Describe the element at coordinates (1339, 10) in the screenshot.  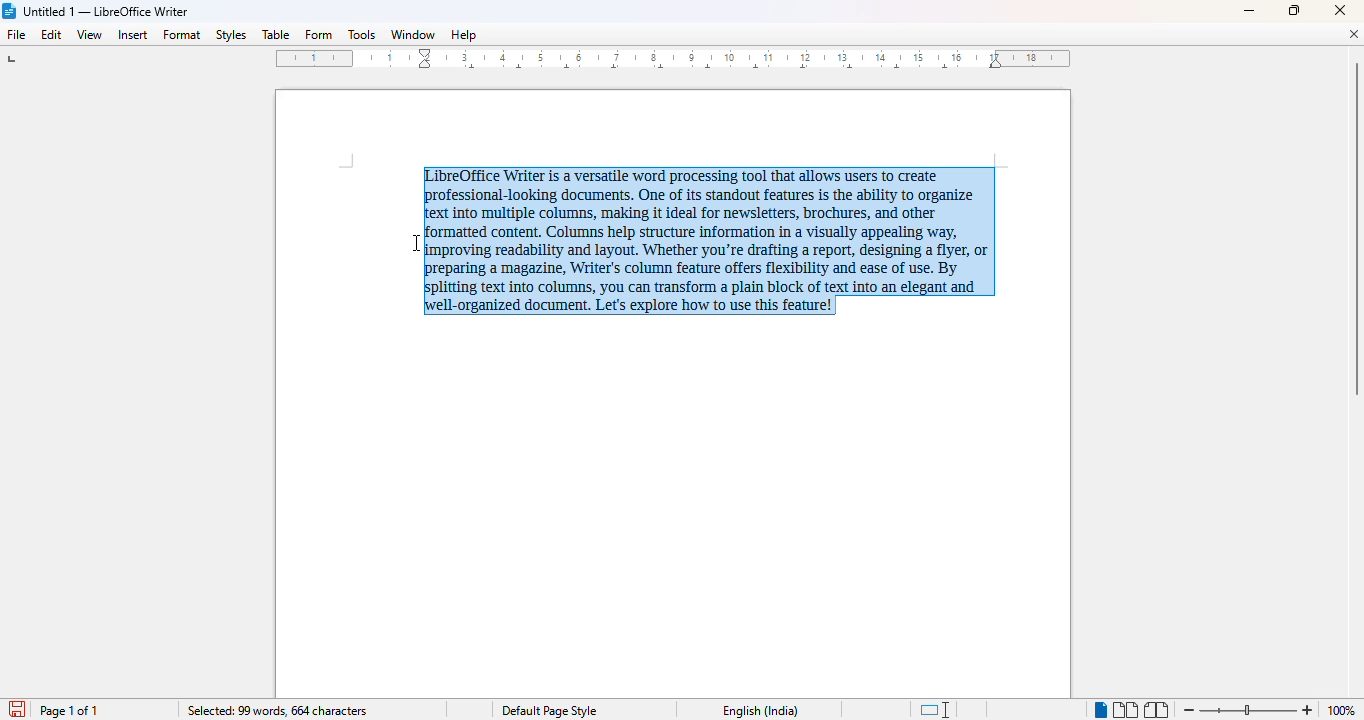
I see `close` at that location.